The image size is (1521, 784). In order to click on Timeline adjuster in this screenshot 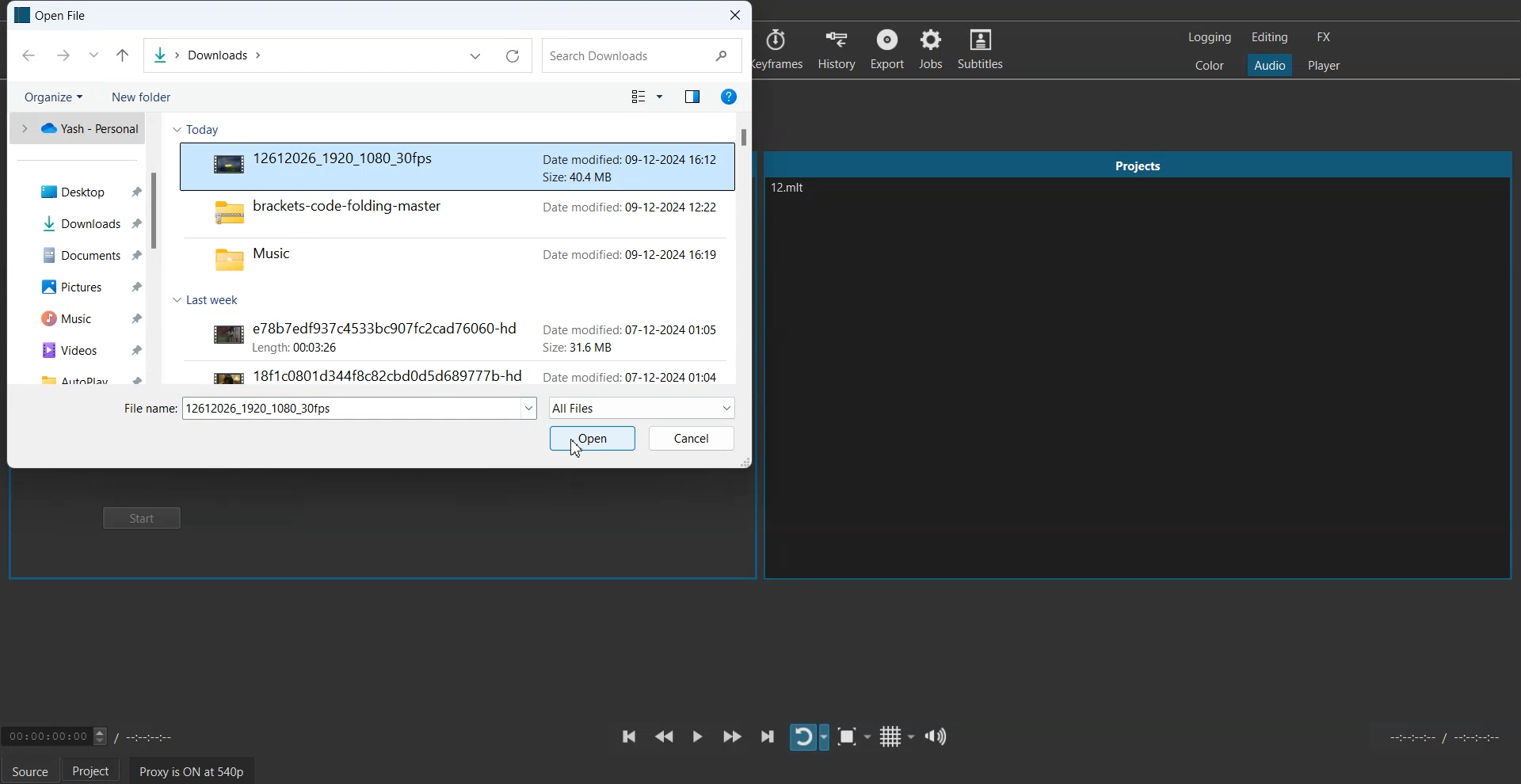, I will do `click(98, 735)`.